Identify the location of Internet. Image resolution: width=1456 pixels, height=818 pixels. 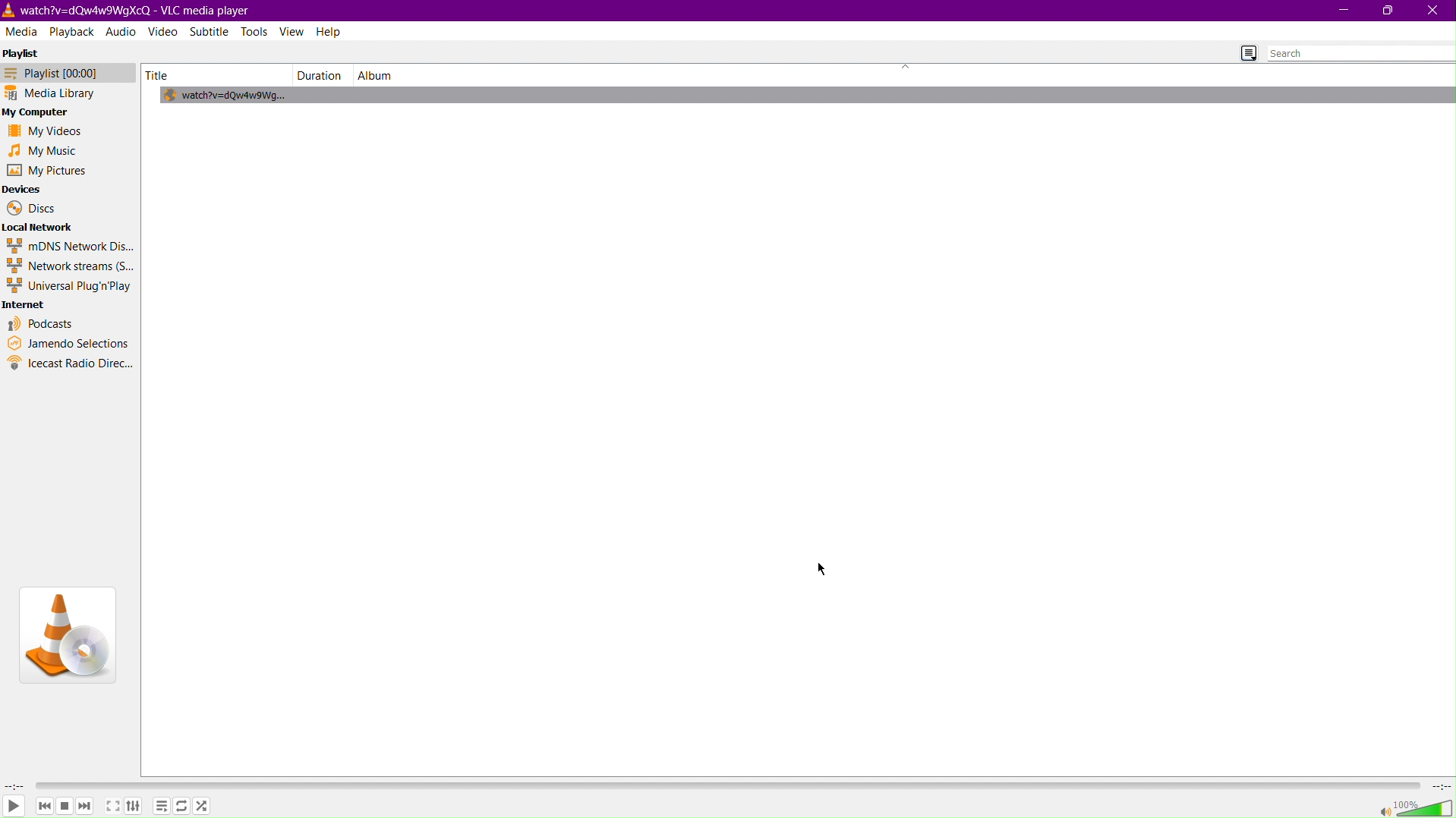
(29, 306).